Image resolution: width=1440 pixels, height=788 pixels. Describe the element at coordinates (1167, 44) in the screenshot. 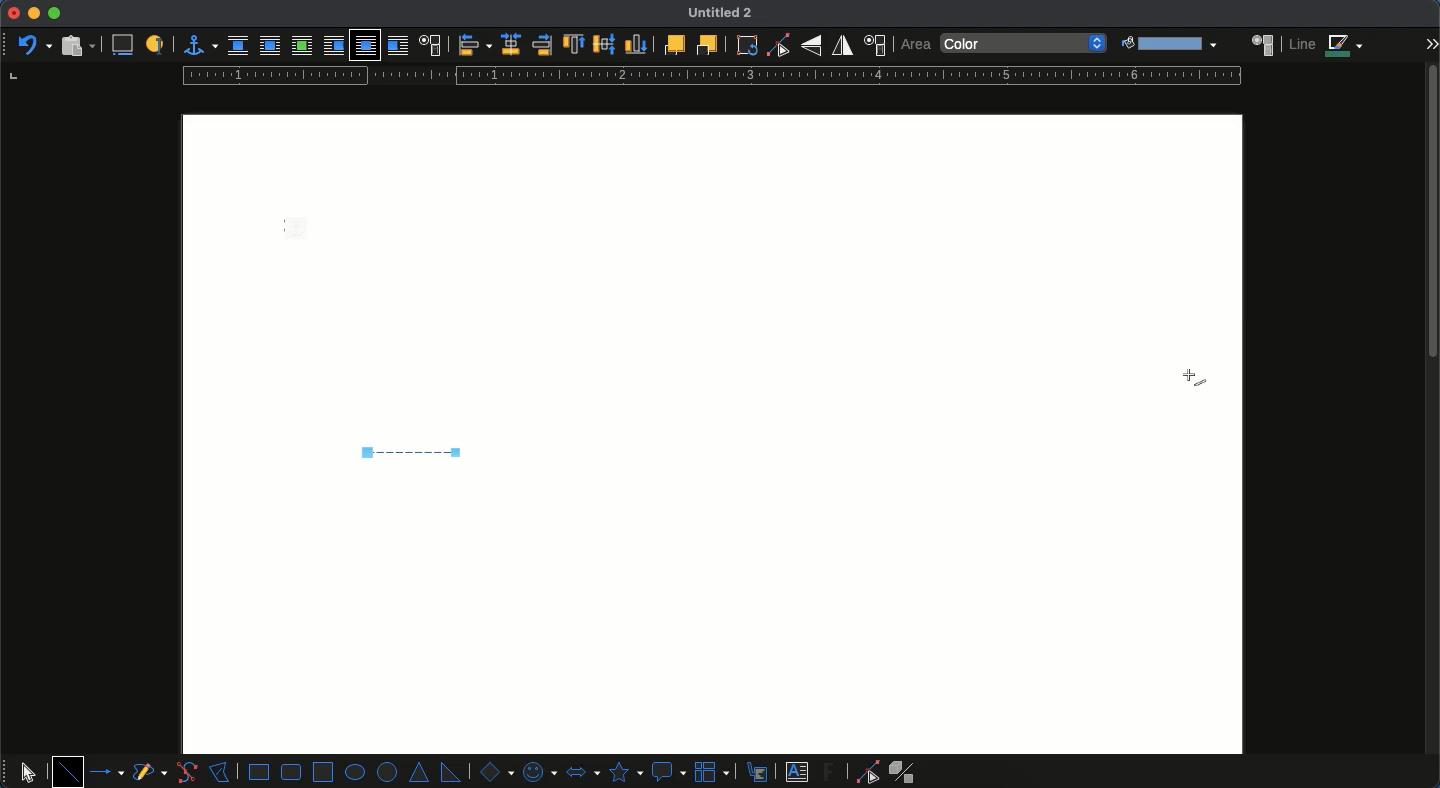

I see `fill color` at that location.